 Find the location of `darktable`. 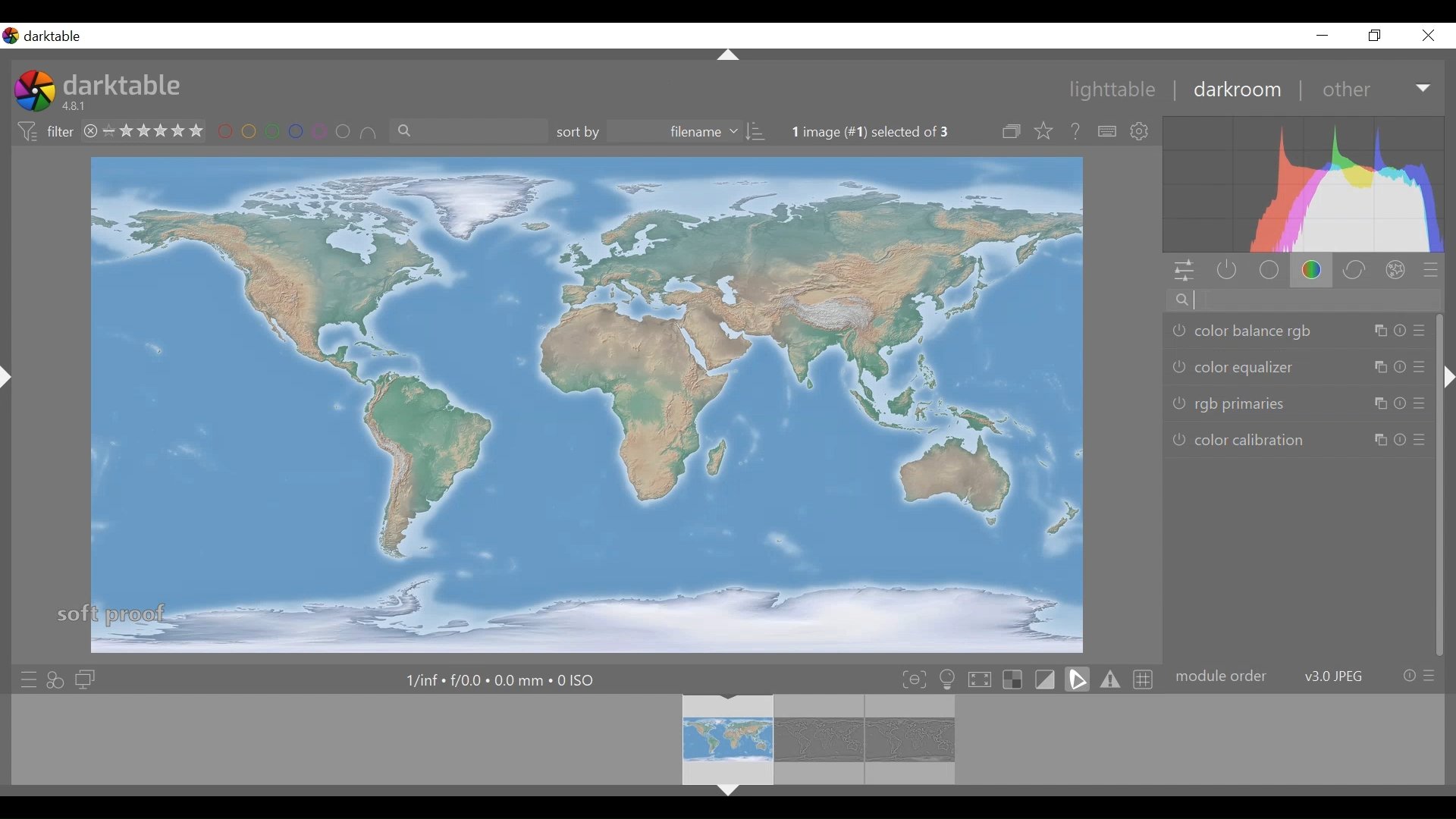

darktable is located at coordinates (125, 85).